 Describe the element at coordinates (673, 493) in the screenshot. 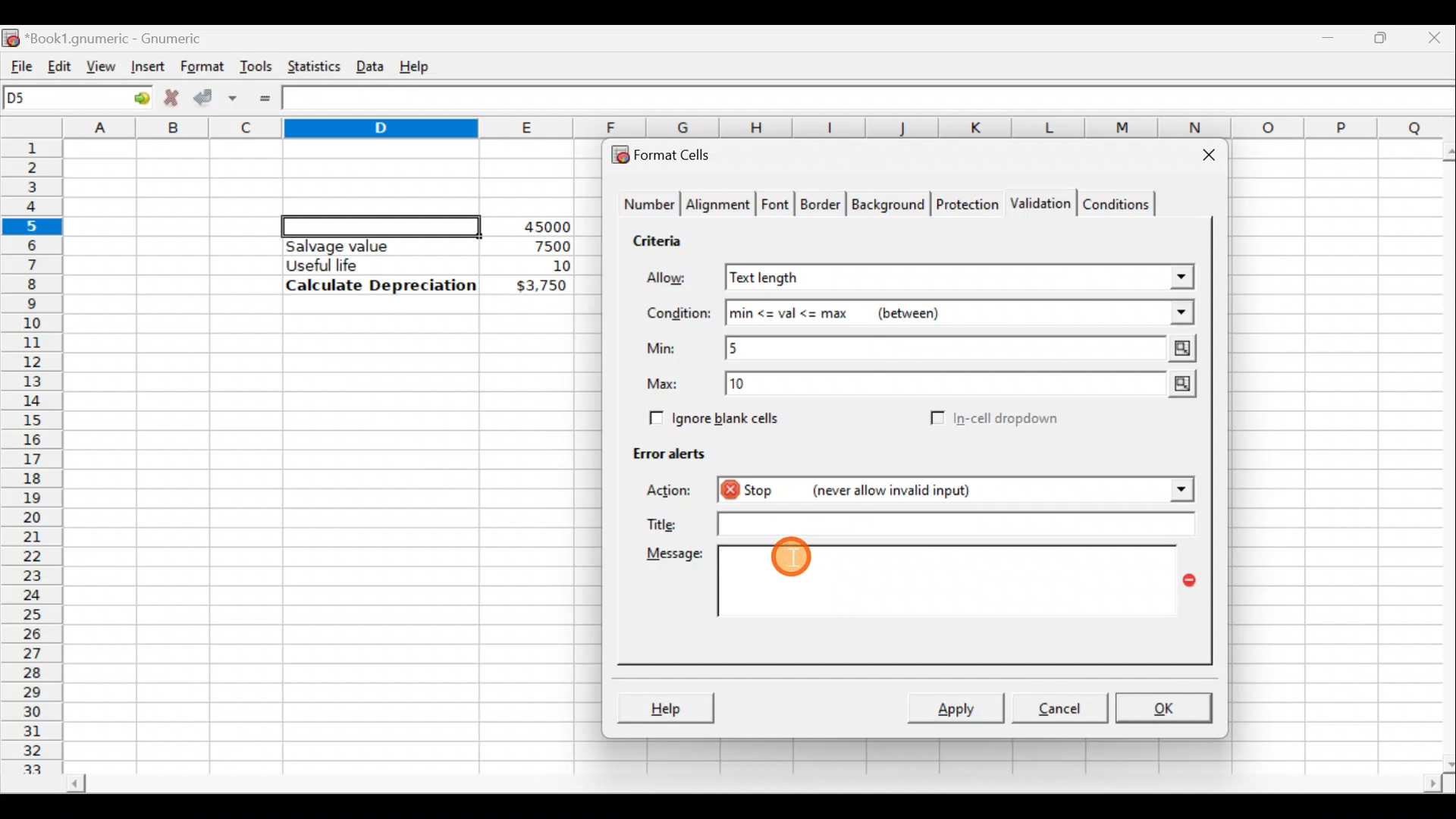

I see `Action` at that location.